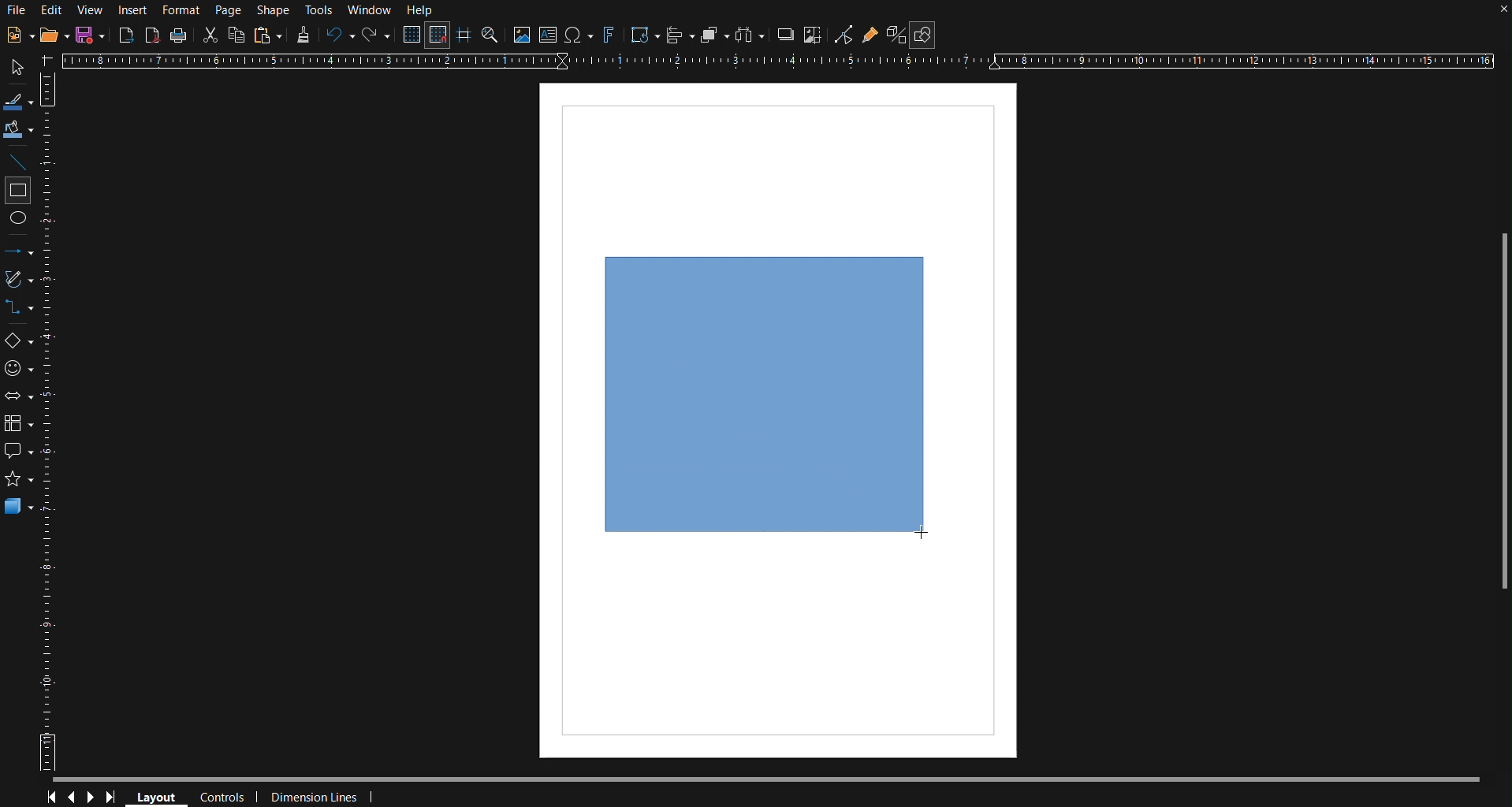  I want to click on Ellipse, so click(19, 222).